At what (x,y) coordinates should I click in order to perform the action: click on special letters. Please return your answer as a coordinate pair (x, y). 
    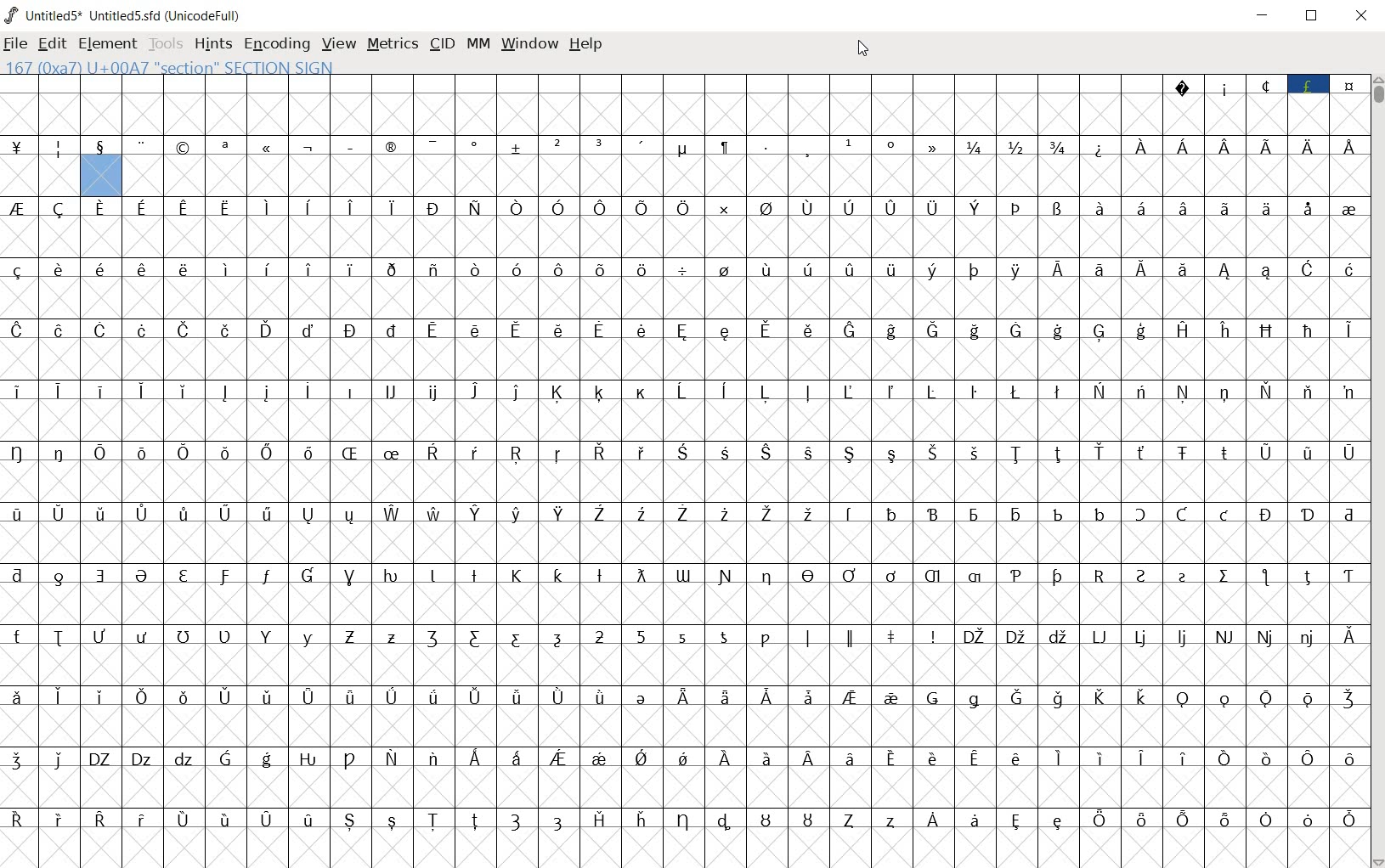
    Looking at the image, I should click on (687, 818).